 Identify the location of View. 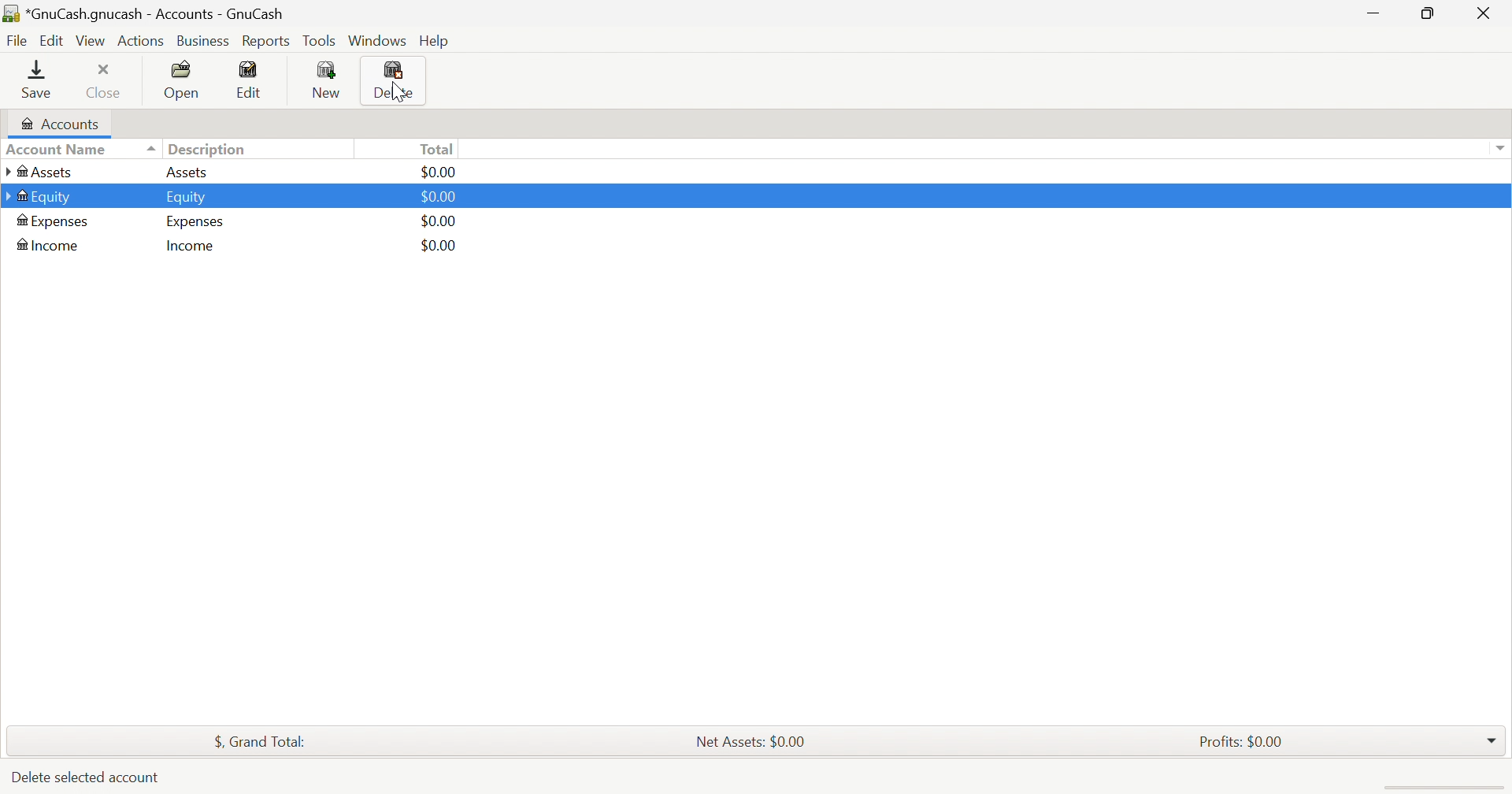
(91, 42).